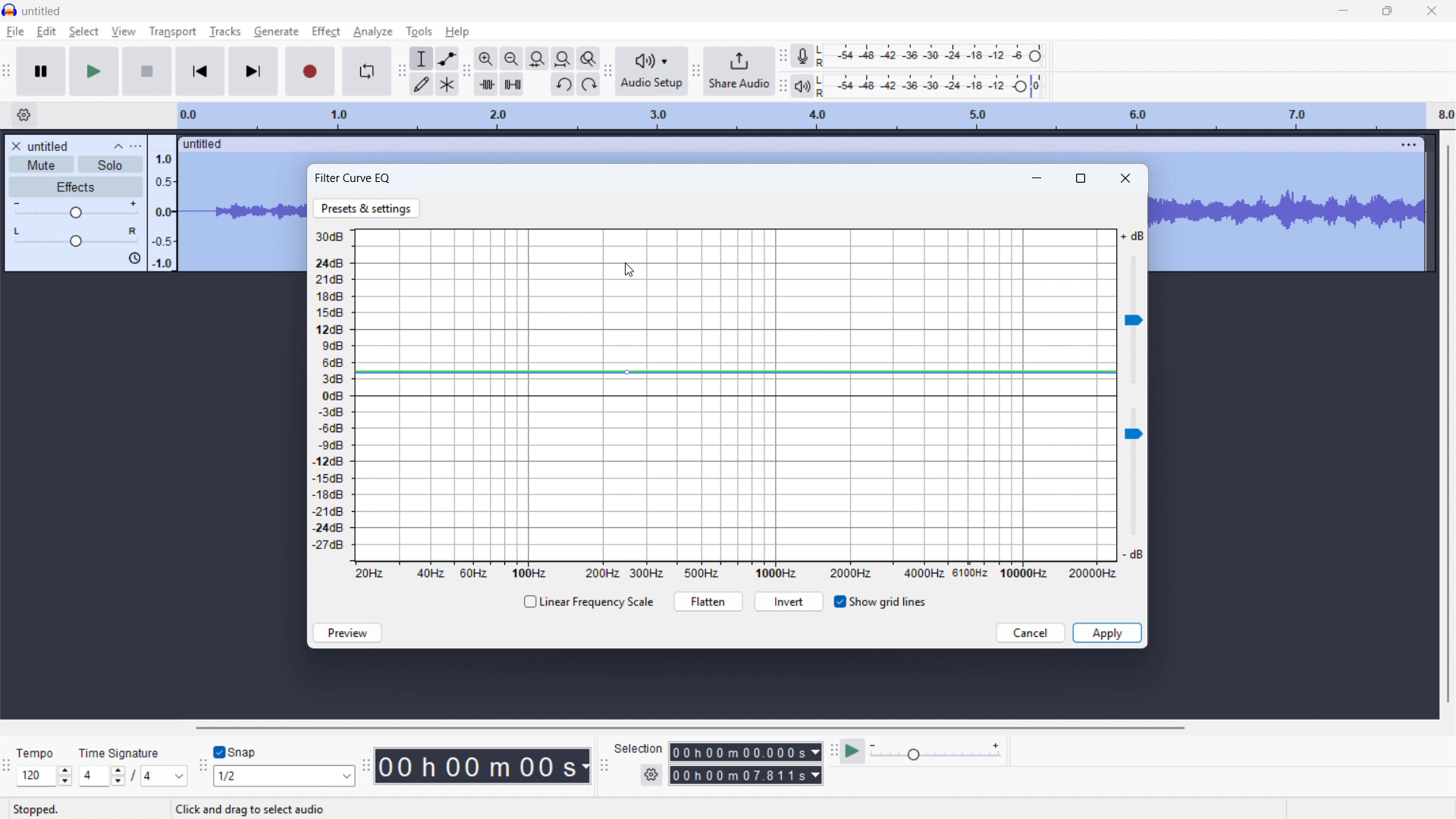 This screenshot has height=819, width=1456. What do you see at coordinates (695, 72) in the screenshot?
I see `Share audio toolbar ` at bounding box center [695, 72].